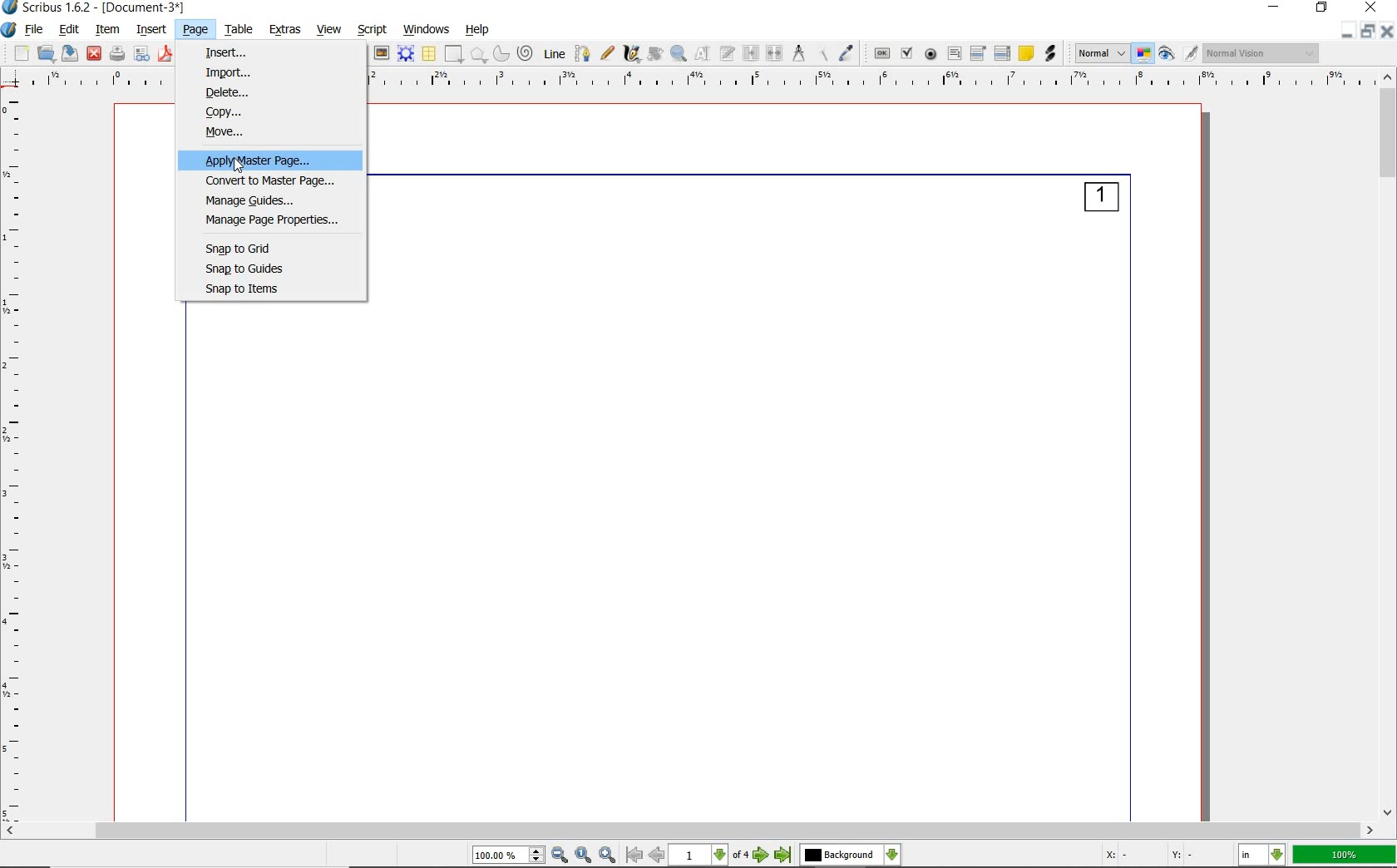 The image size is (1397, 868). I want to click on scrollbar, so click(690, 831).